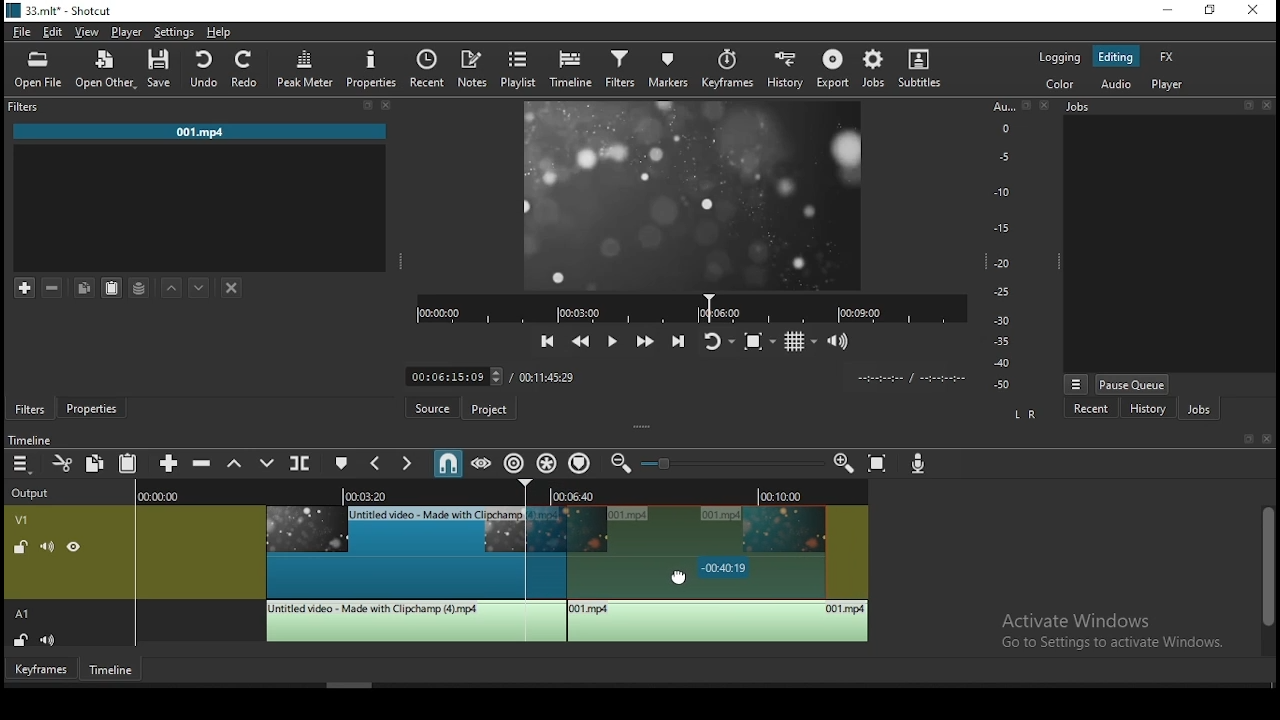 This screenshot has width=1280, height=720. I want to click on mouse pointer, so click(680, 576).